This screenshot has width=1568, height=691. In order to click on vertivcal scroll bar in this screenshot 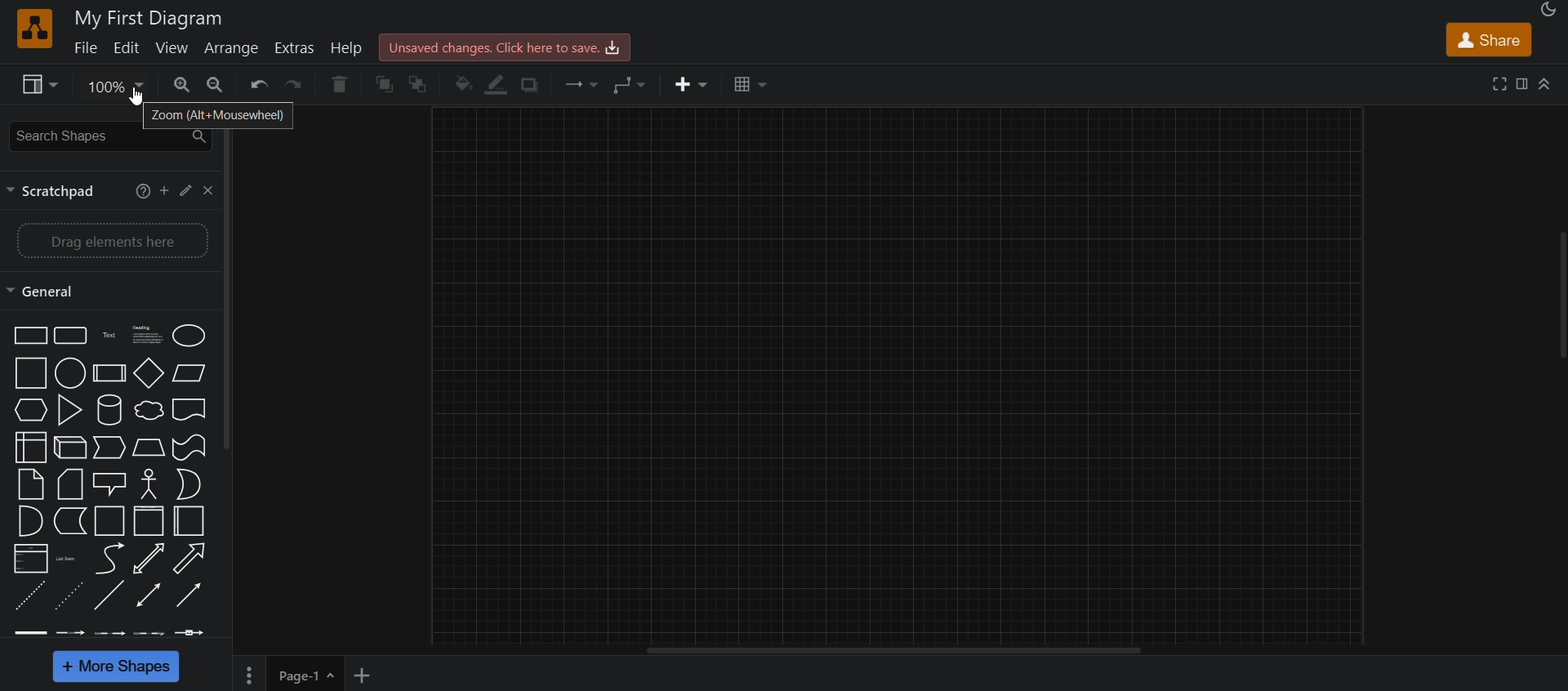, I will do `click(224, 287)`.